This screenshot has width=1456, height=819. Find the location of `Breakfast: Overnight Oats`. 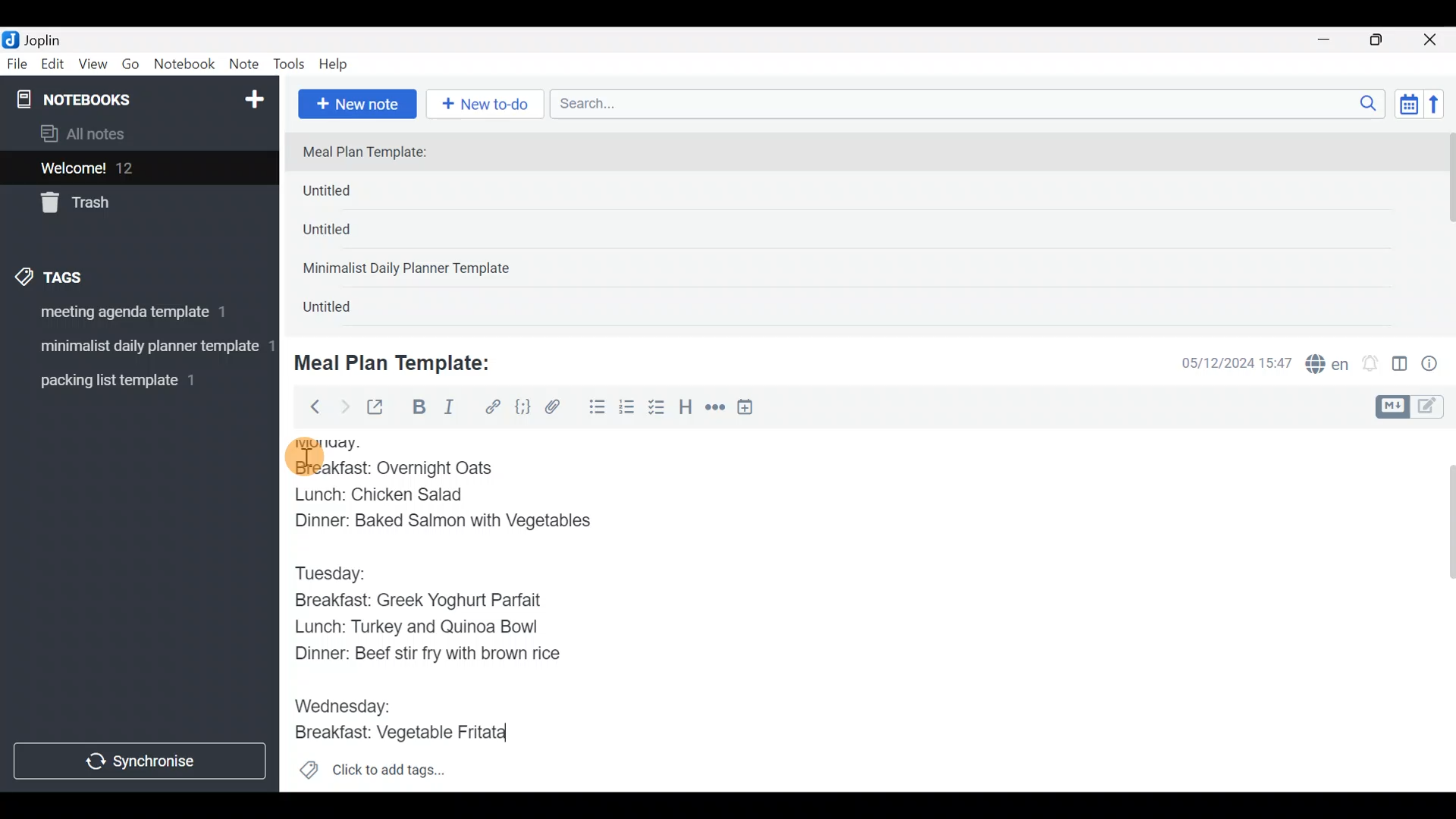

Breakfast: Overnight Oats is located at coordinates (393, 467).